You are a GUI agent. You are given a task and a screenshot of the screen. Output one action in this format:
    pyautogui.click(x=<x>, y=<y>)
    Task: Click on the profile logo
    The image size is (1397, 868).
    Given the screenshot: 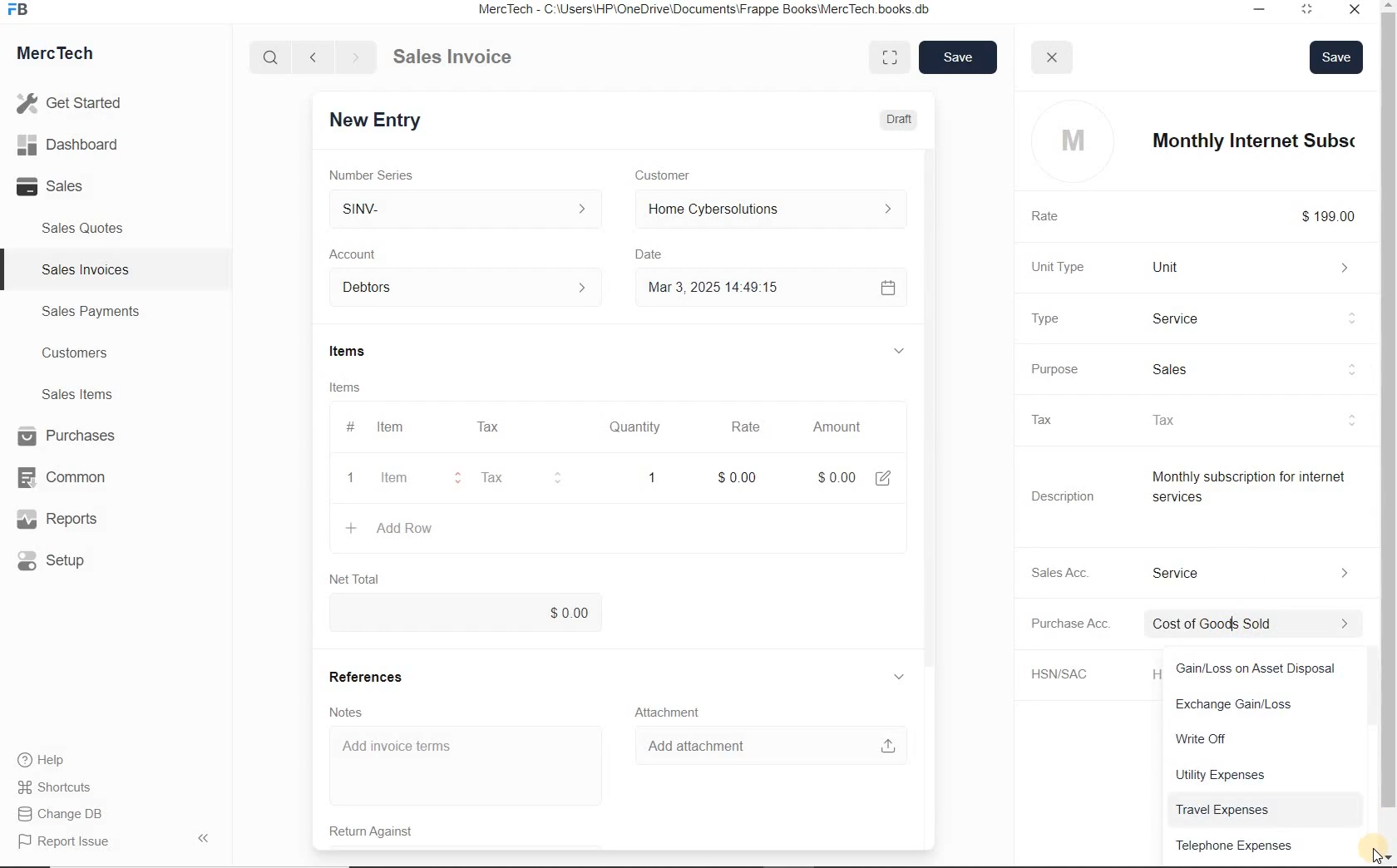 What is the action you would take?
    pyautogui.click(x=1069, y=141)
    